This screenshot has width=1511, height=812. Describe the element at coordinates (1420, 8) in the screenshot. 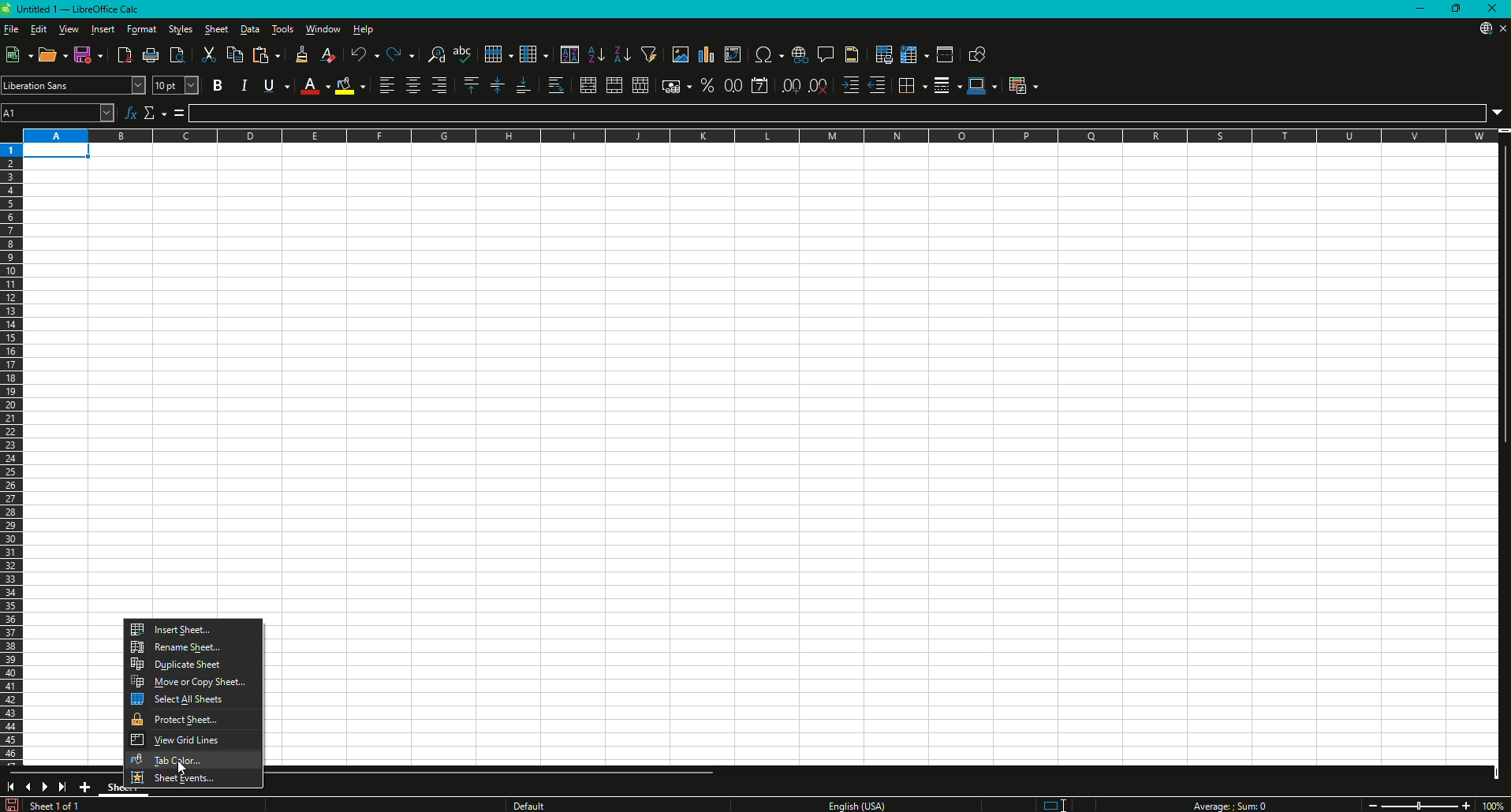

I see `Minimize` at that location.